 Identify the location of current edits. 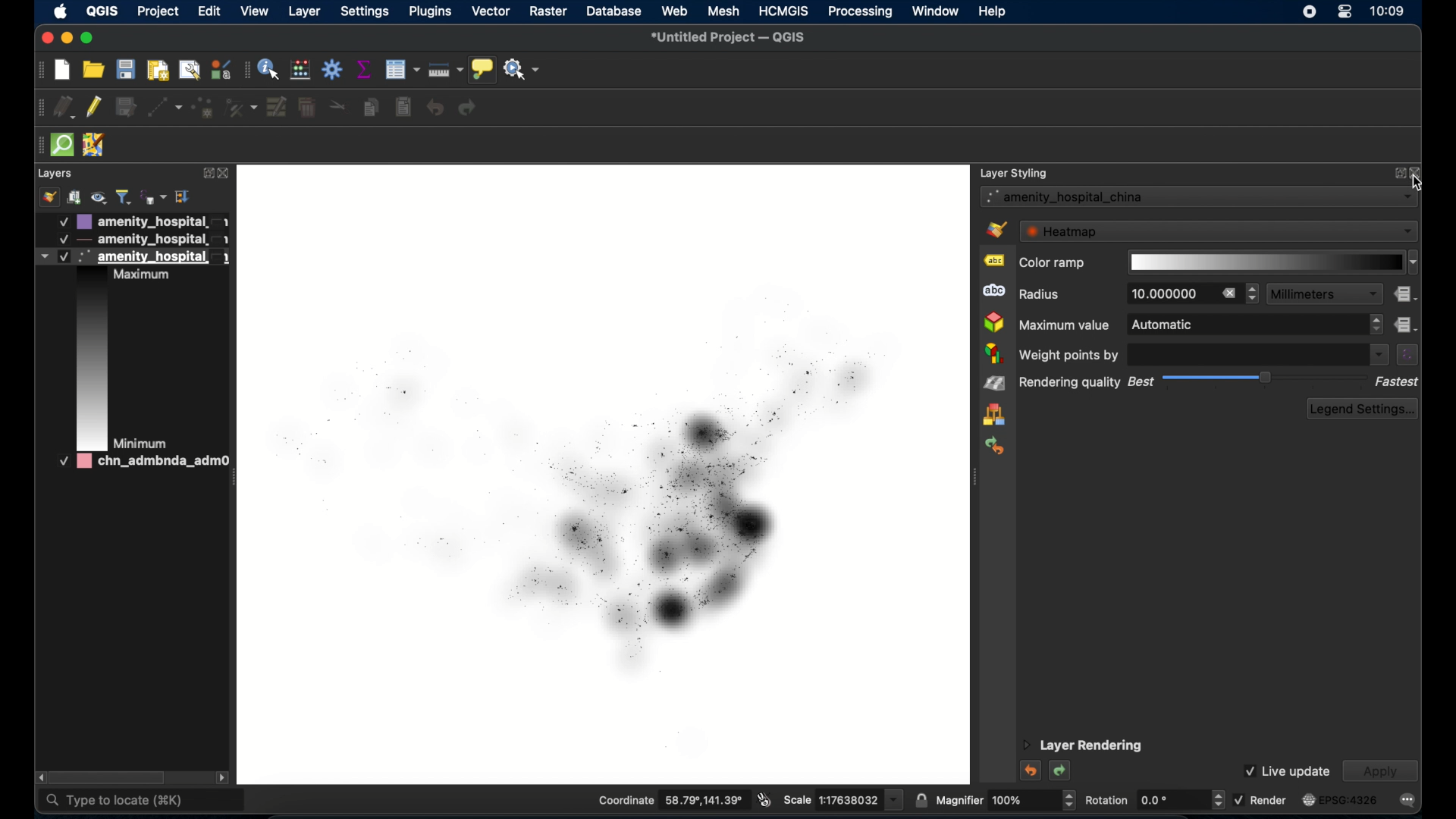
(64, 106).